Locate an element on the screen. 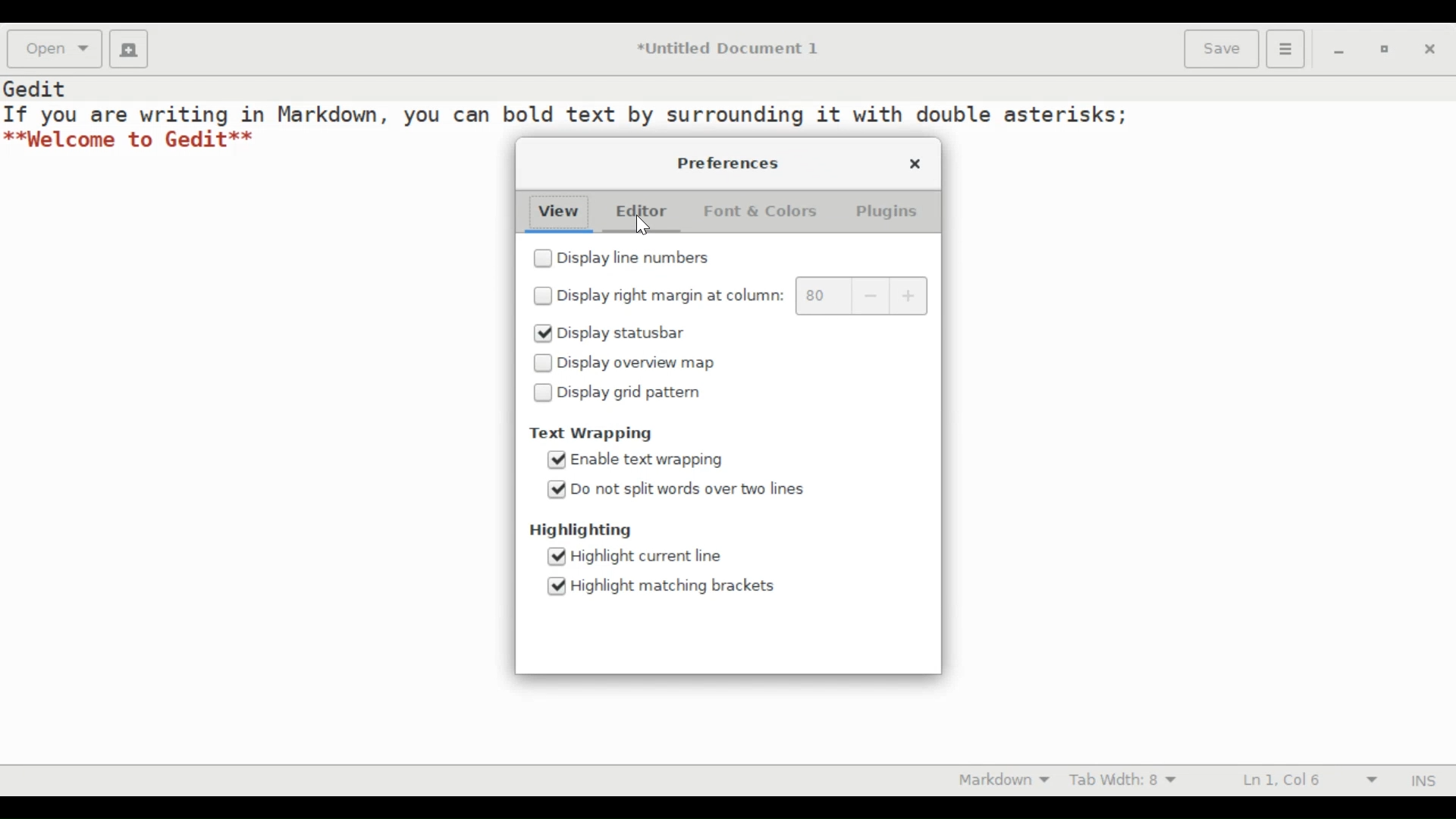 The width and height of the screenshot is (1456, 819). Display line numbers is located at coordinates (642, 259).